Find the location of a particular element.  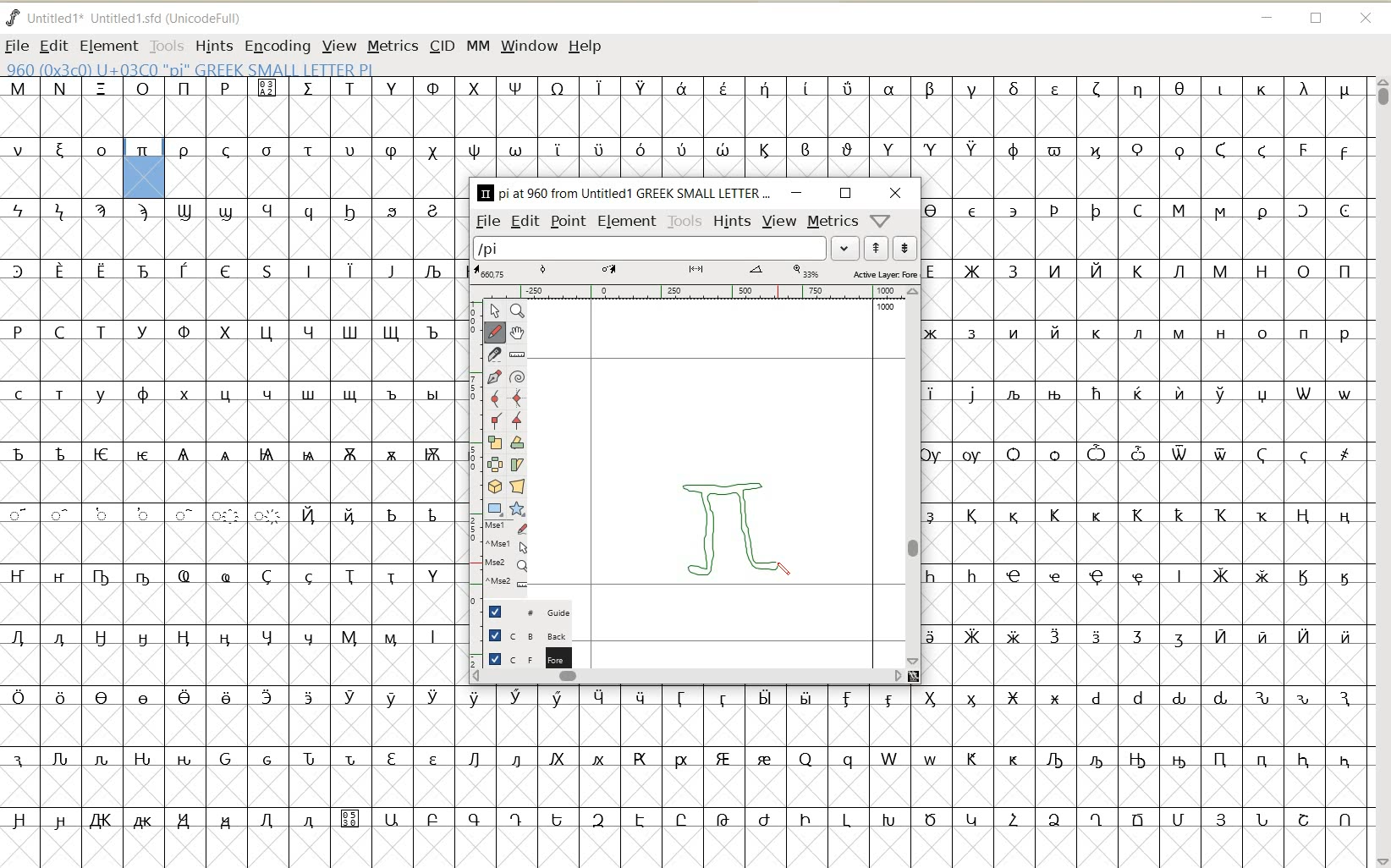

HINTS is located at coordinates (212, 47).